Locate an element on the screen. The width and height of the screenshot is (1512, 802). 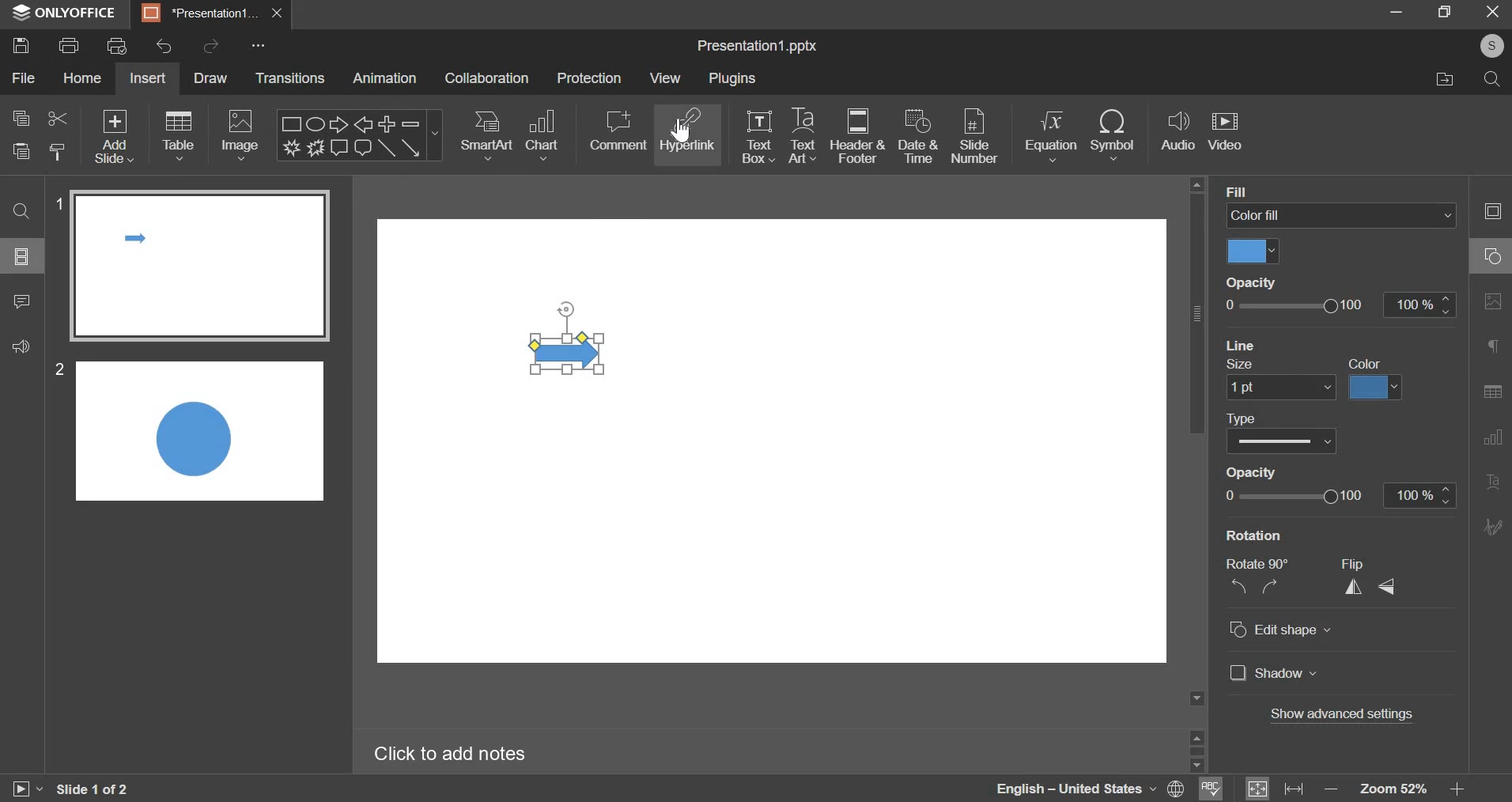
fit to slide is located at coordinates (1259, 789).